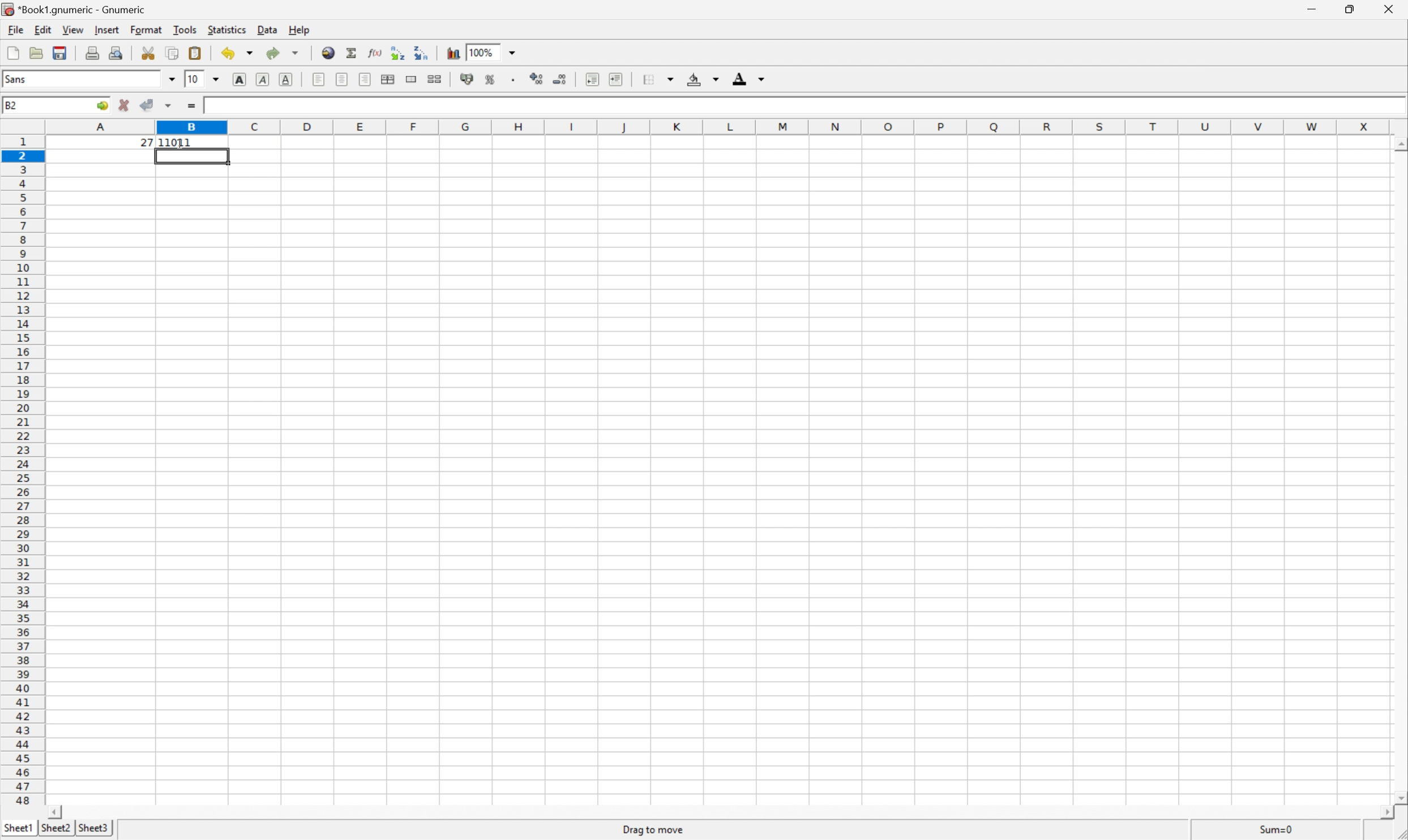  Describe the element at coordinates (514, 79) in the screenshot. I see `Set the format of the selected cells to include a thousands separator` at that location.